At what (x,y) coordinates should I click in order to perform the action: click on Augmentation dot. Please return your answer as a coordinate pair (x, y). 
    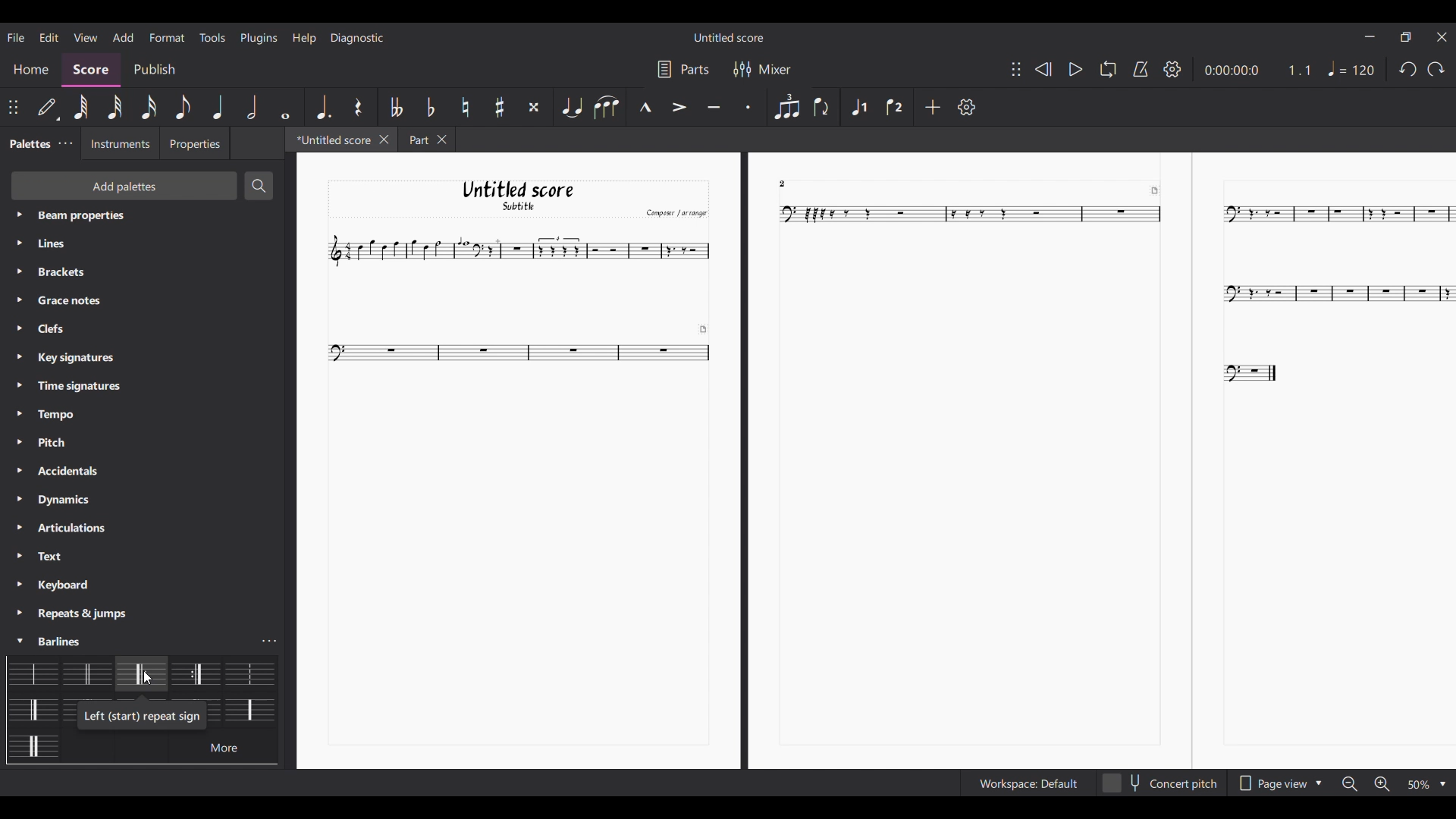
    Looking at the image, I should click on (323, 108).